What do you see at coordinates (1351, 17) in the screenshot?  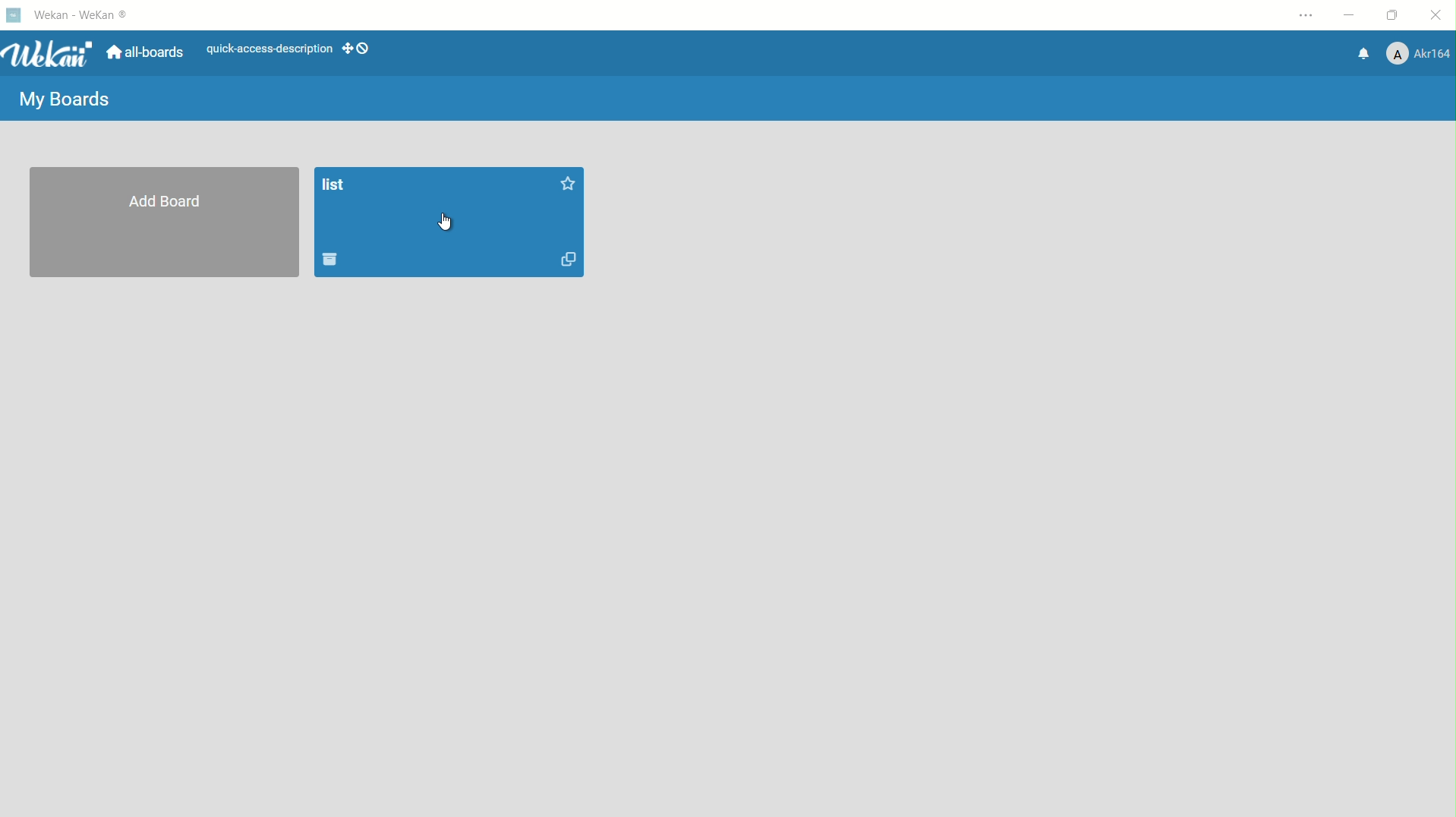 I see `minimize` at bounding box center [1351, 17].